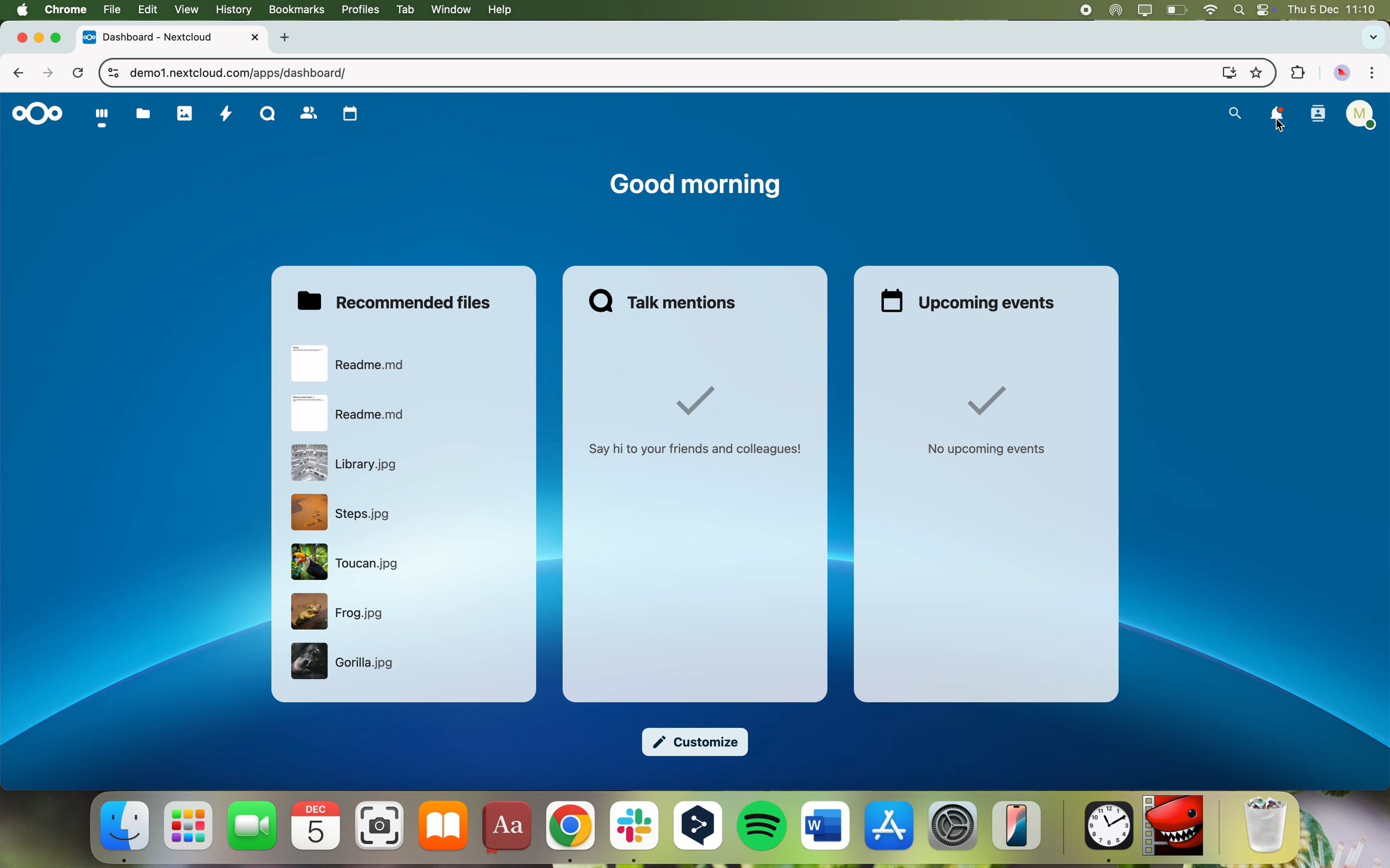 The image size is (1390, 868). Describe the element at coordinates (34, 115) in the screenshot. I see `Nextcloud logo` at that location.